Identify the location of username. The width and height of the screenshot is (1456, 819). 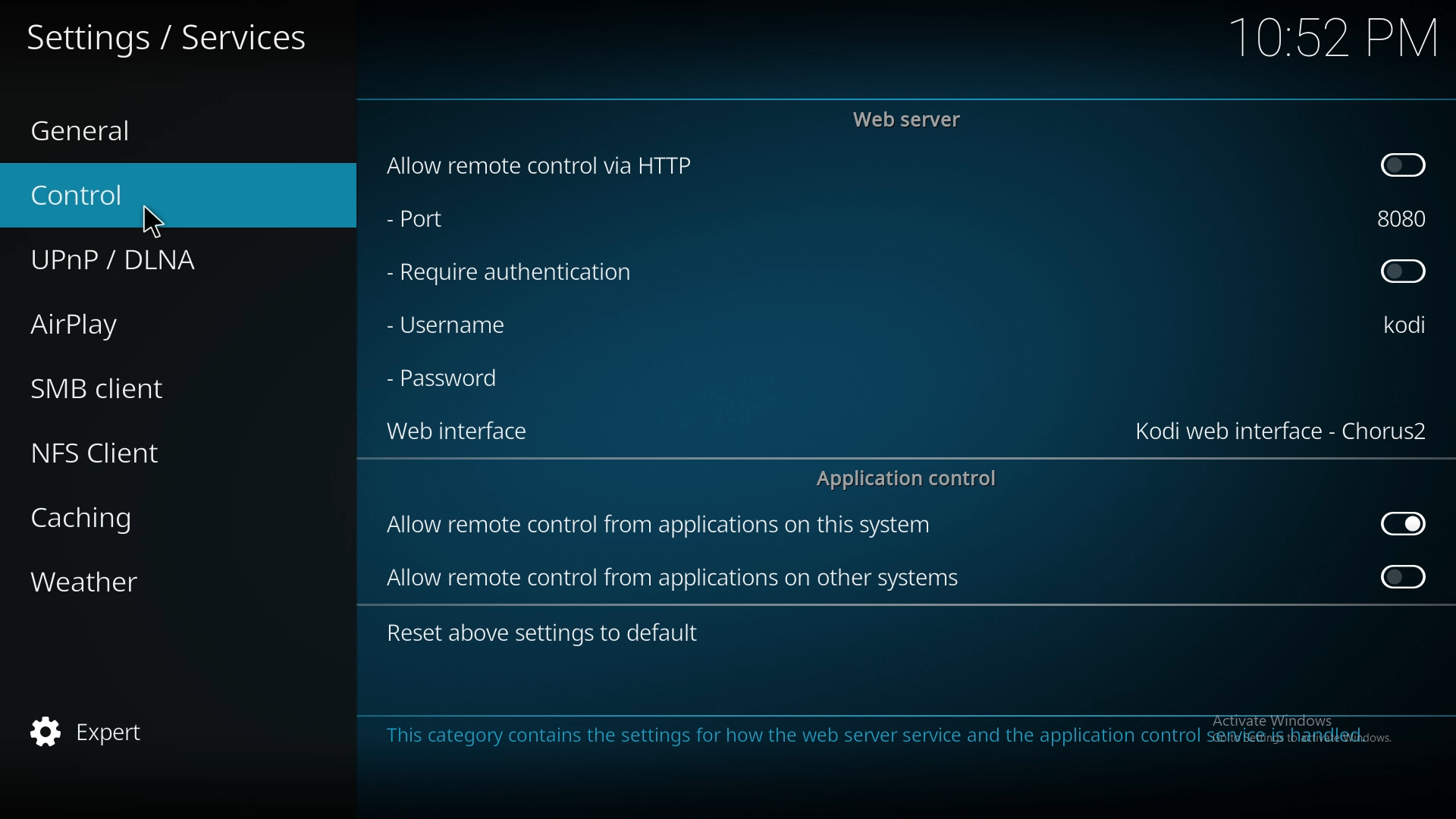
(1406, 324).